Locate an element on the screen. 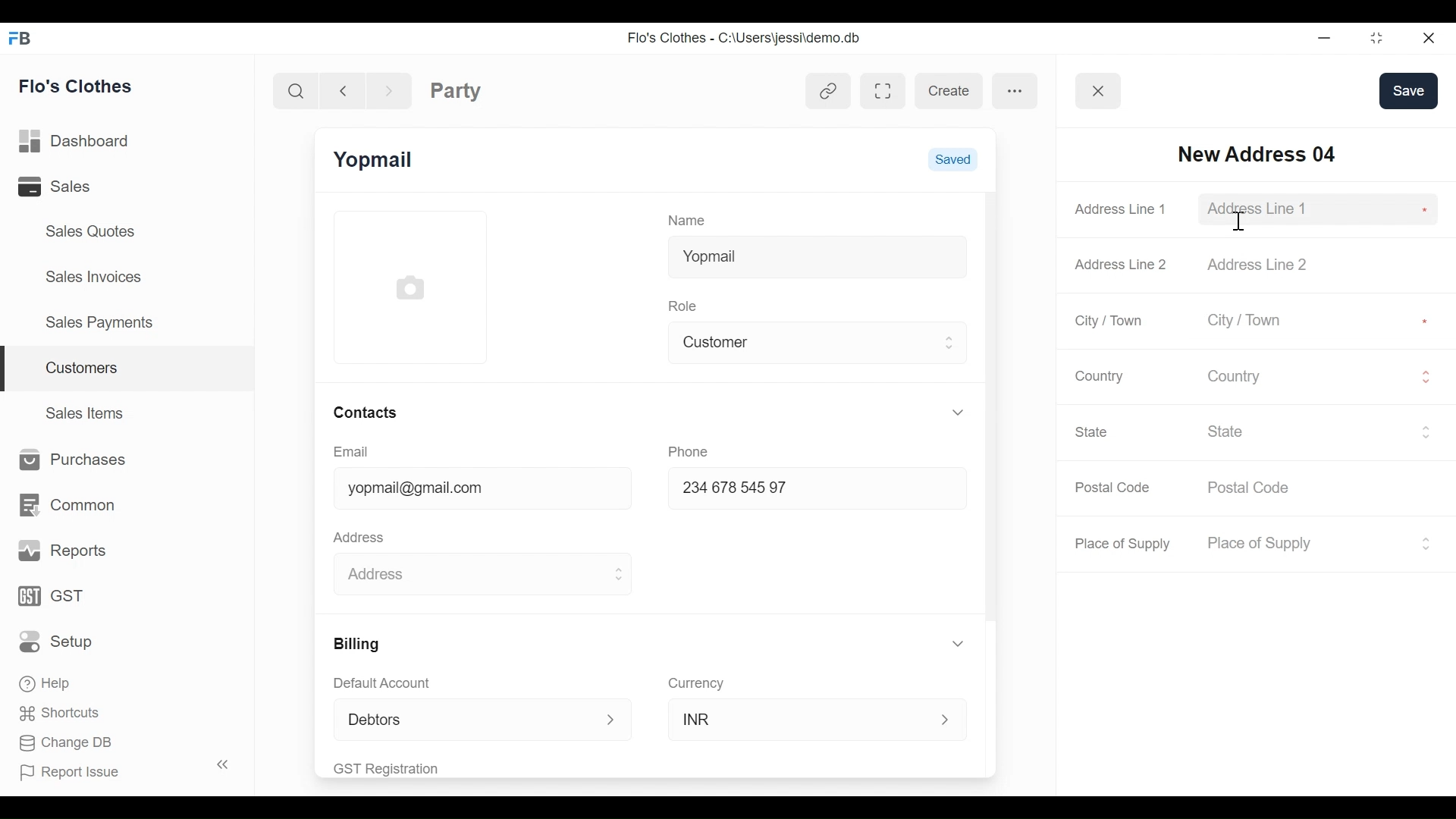 This screenshot has width=1456, height=819. Place of Supply is located at coordinates (1304, 544).